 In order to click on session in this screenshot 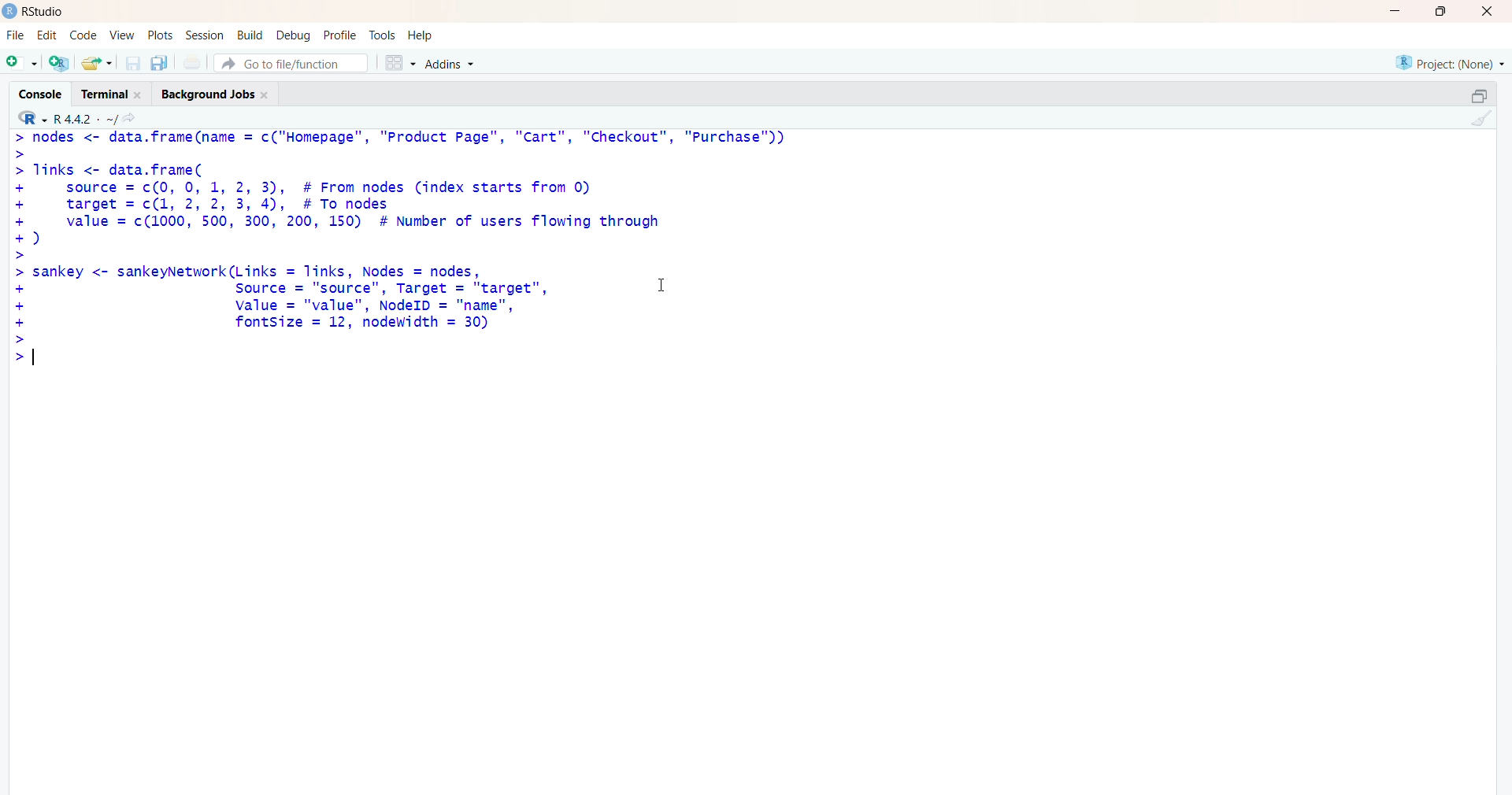, I will do `click(202, 36)`.